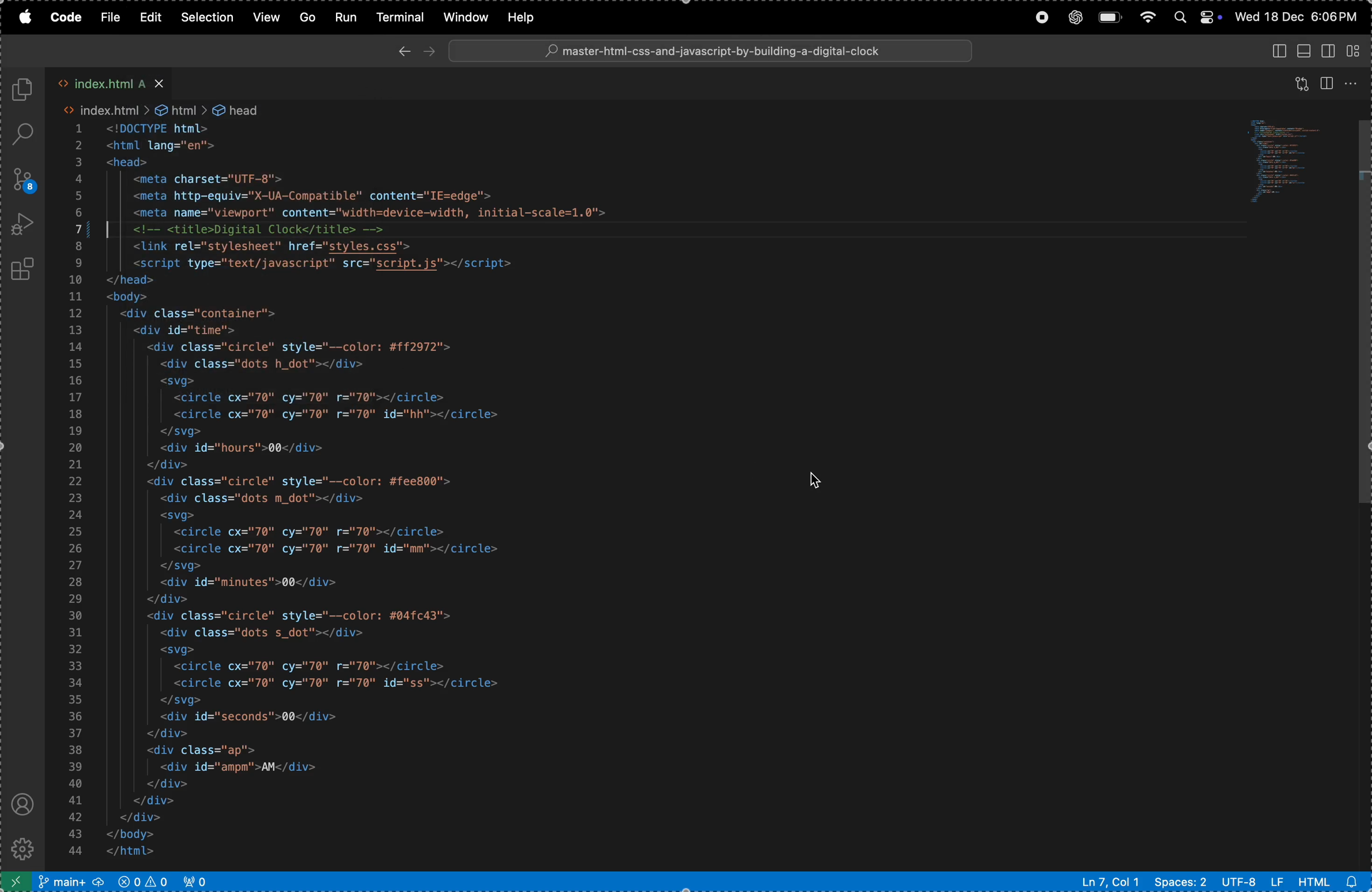  Describe the element at coordinates (142, 880) in the screenshot. I see `no problem` at that location.